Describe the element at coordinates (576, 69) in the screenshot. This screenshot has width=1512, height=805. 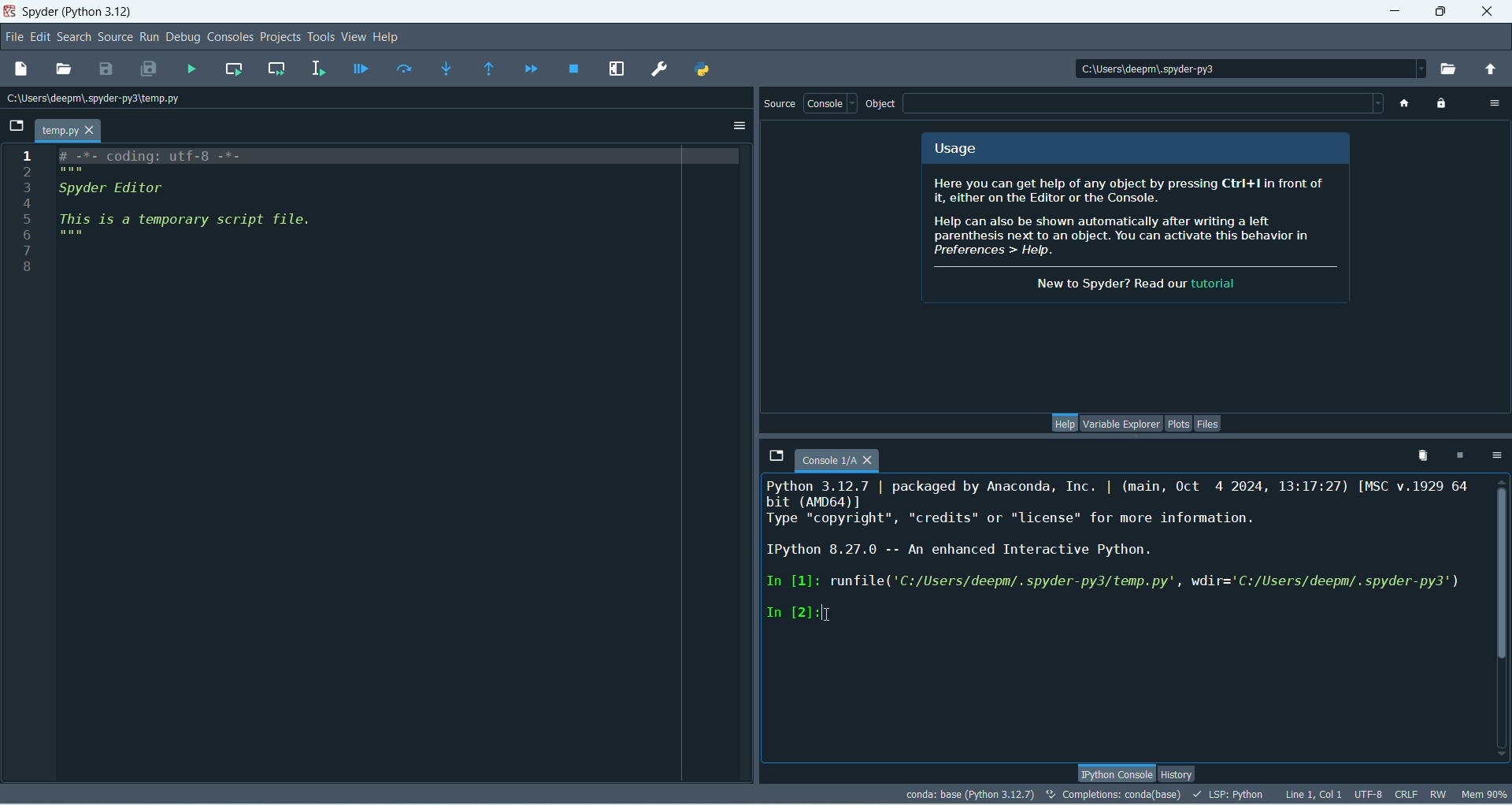
I see `stop debugging` at that location.